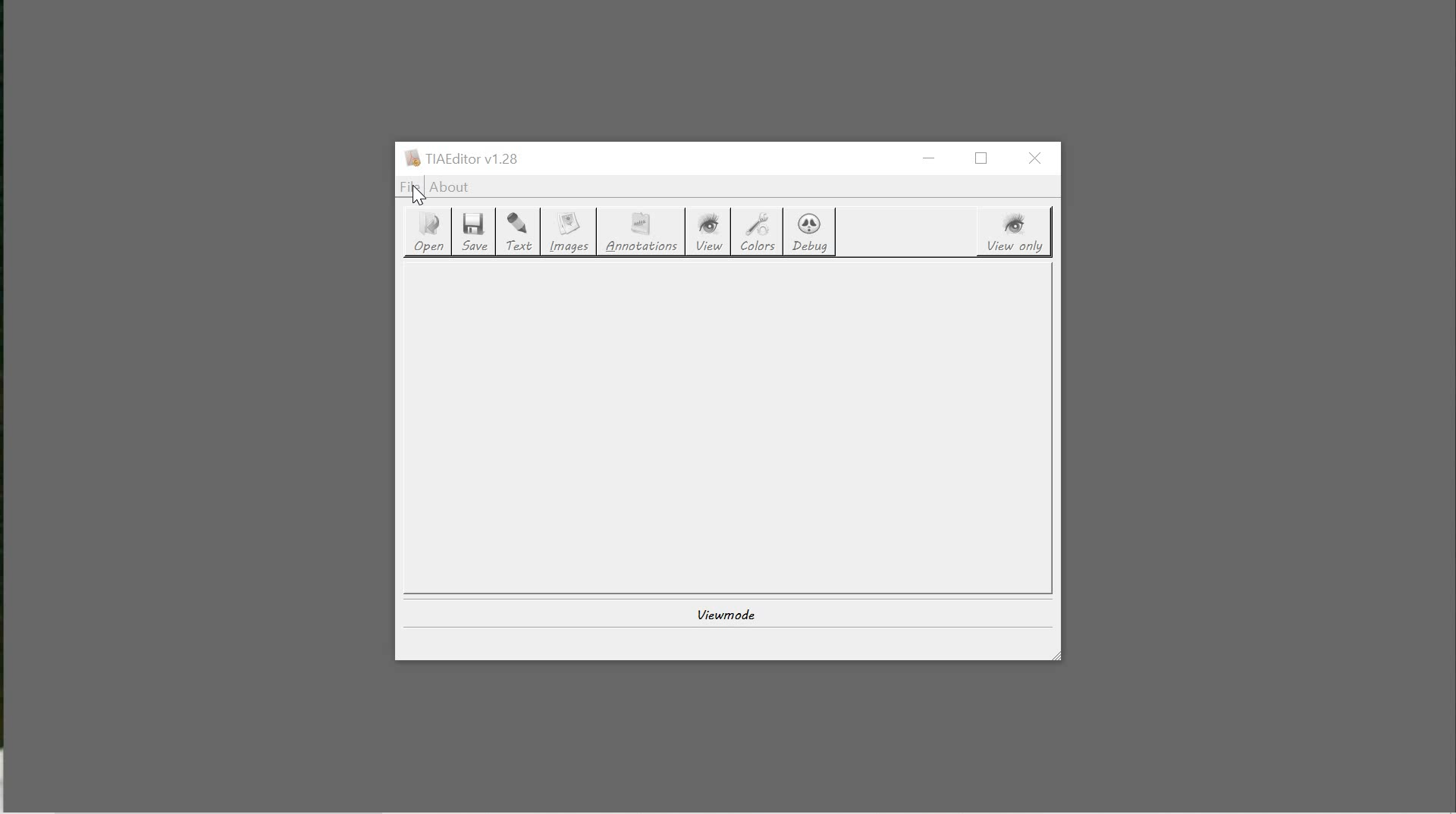 This screenshot has height=814, width=1456. I want to click on about, so click(450, 188).